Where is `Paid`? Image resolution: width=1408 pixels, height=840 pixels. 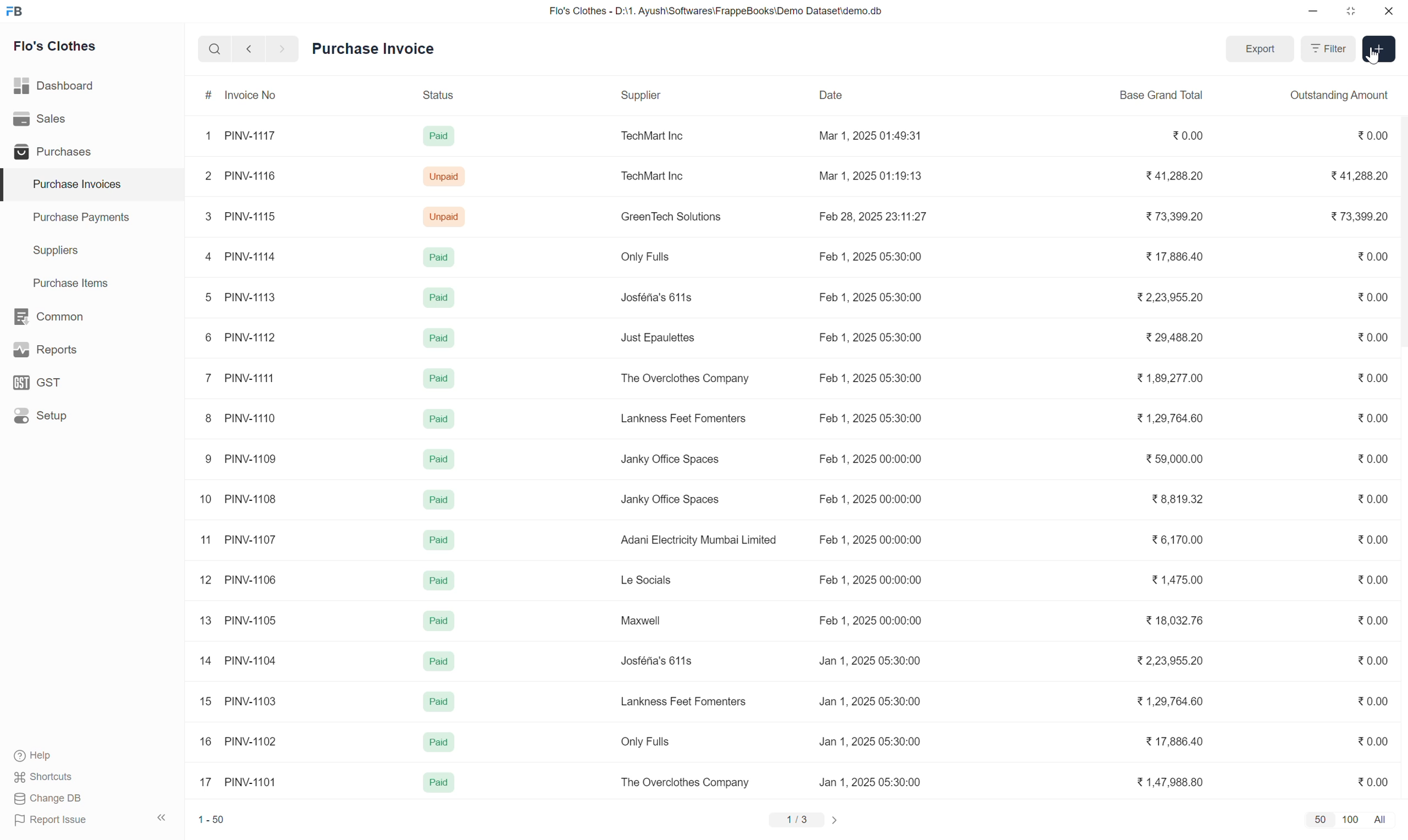
Paid is located at coordinates (439, 499).